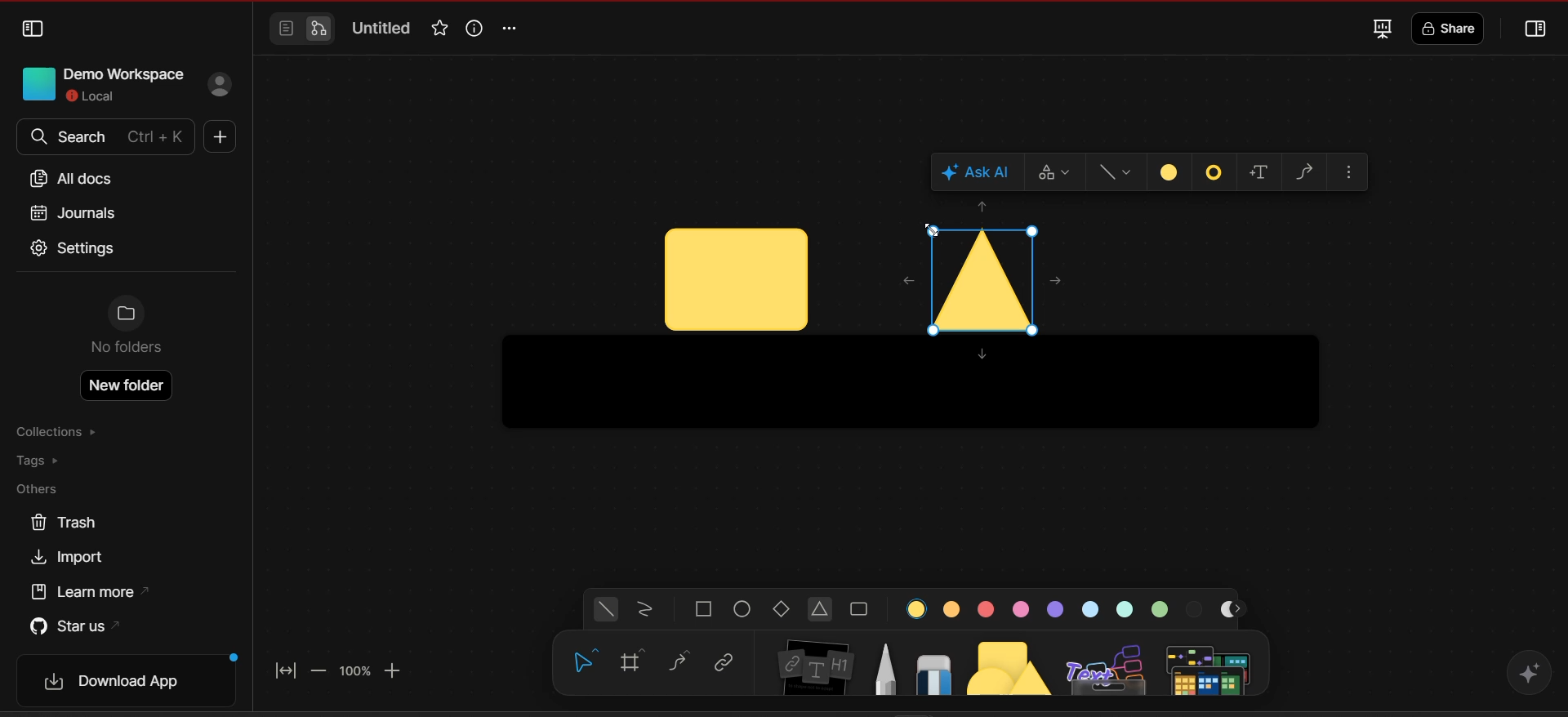 The image size is (1568, 717). Describe the element at coordinates (1451, 29) in the screenshot. I see `share` at that location.